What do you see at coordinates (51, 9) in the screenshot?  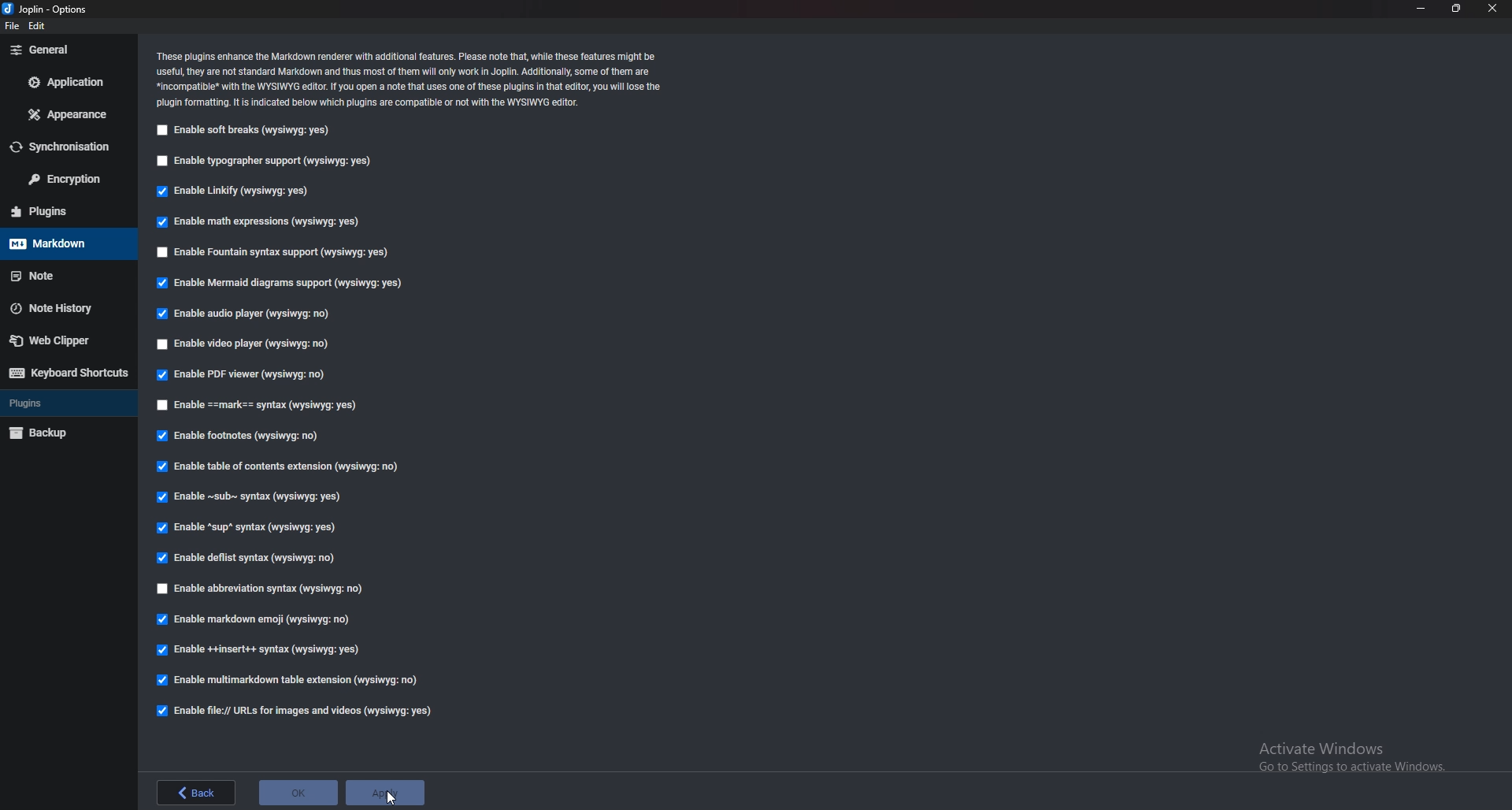 I see `joplin` at bounding box center [51, 9].